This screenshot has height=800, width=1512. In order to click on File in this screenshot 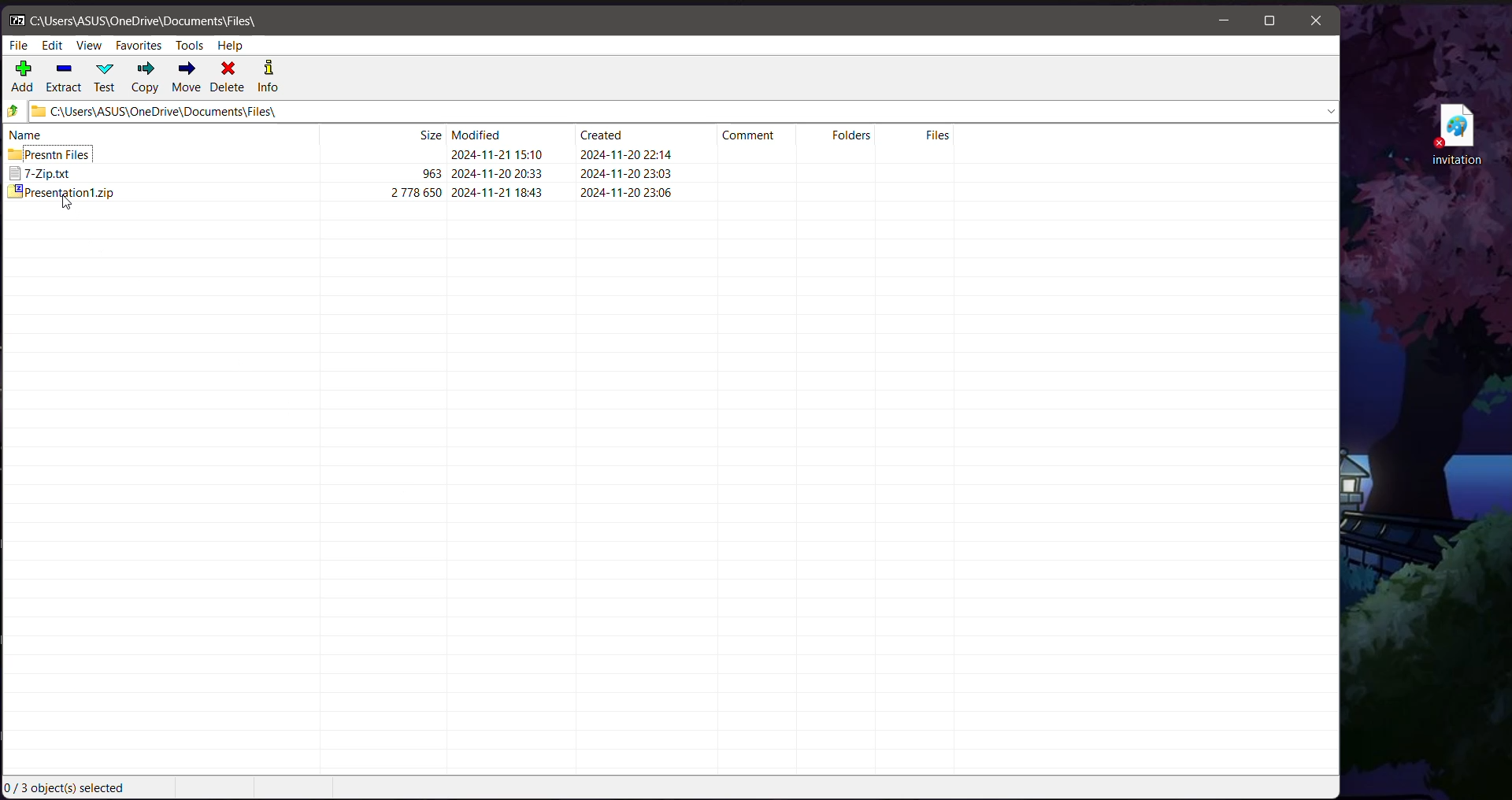, I will do `click(20, 44)`.